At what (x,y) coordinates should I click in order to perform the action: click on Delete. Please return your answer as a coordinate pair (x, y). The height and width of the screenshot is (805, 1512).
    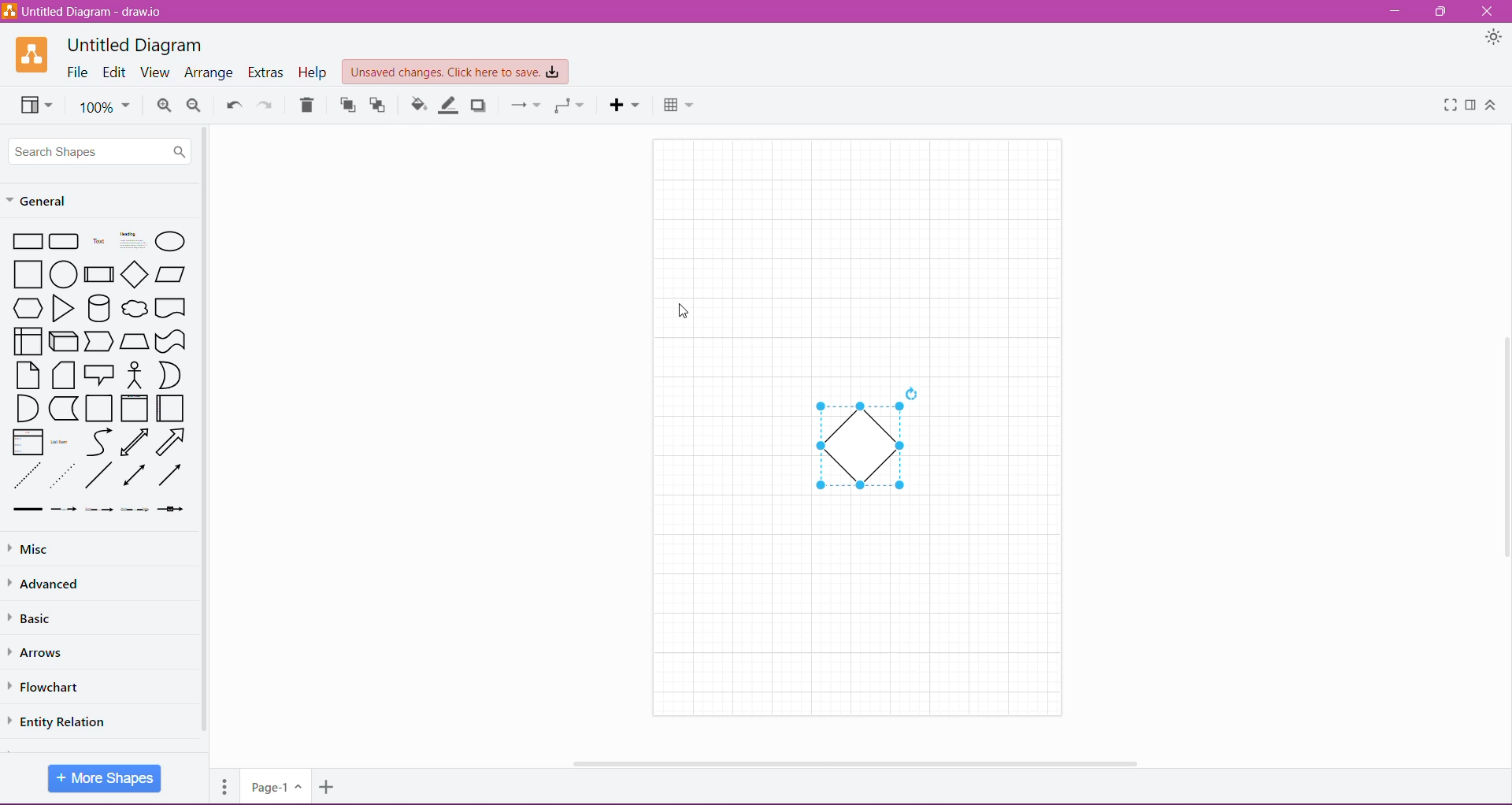
    Looking at the image, I should click on (306, 105).